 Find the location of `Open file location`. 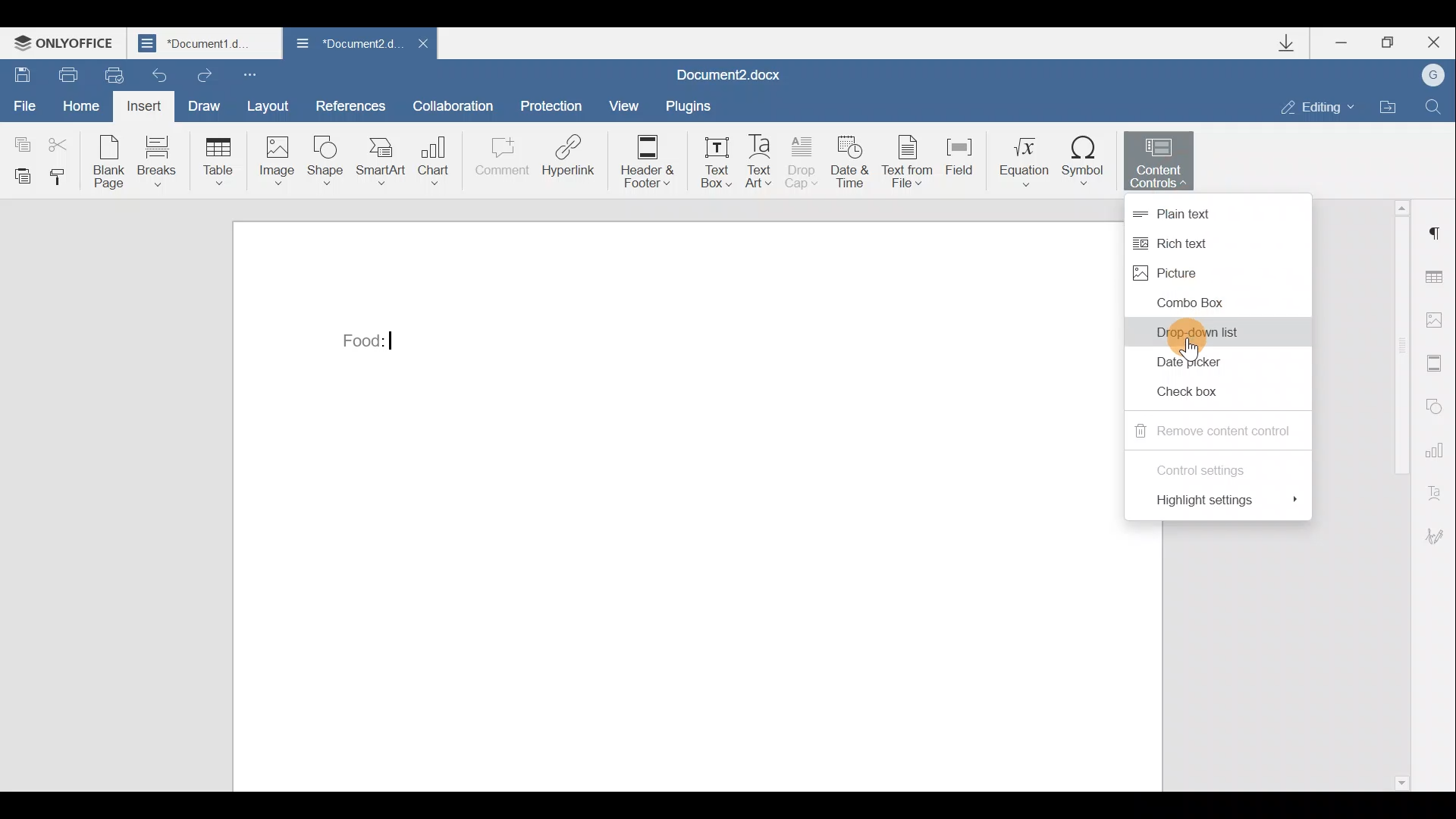

Open file location is located at coordinates (1388, 105).